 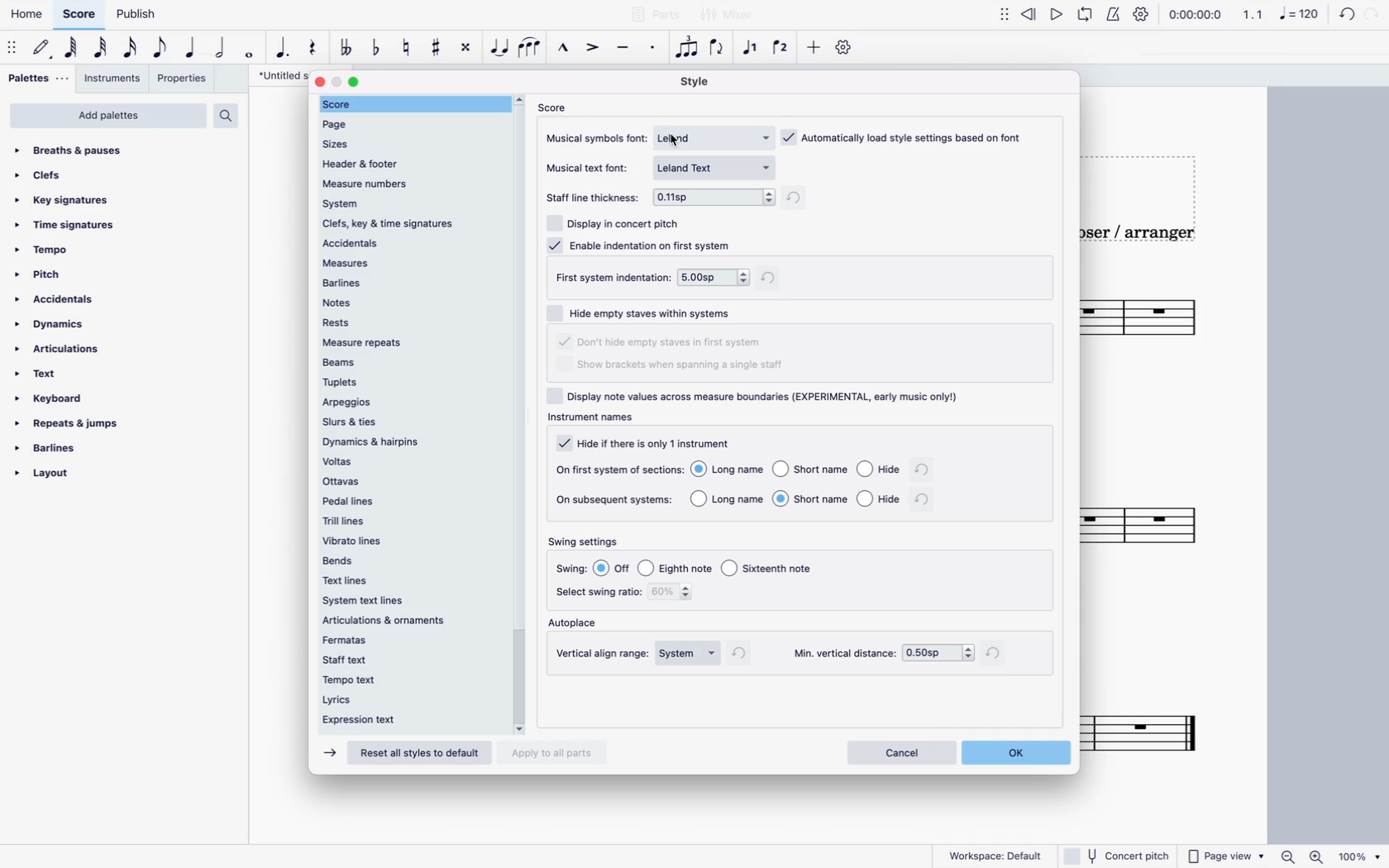 What do you see at coordinates (413, 560) in the screenshot?
I see `bends` at bounding box center [413, 560].